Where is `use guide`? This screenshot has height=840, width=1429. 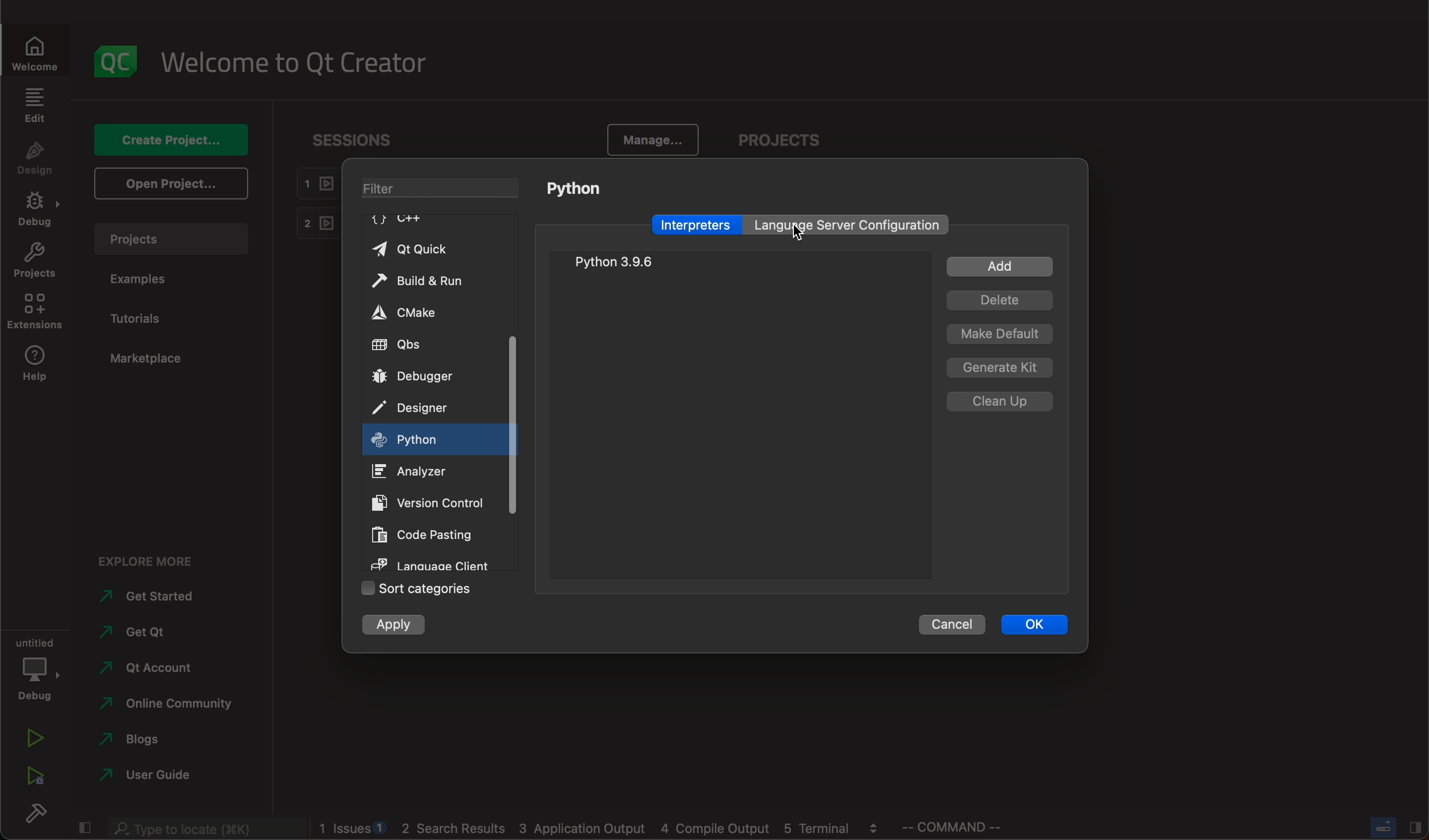 use guide is located at coordinates (148, 776).